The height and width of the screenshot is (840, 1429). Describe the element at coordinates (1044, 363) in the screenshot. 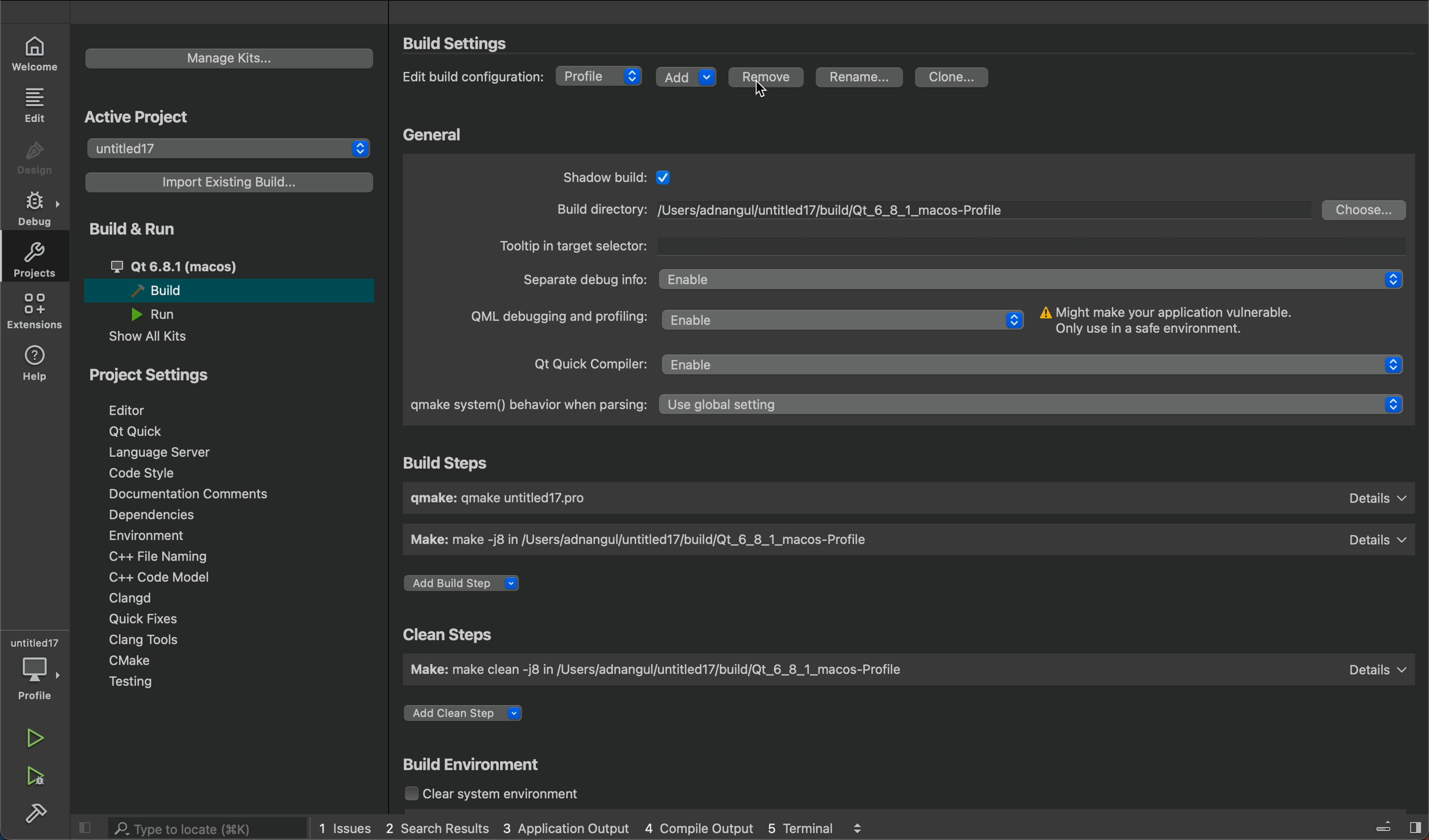

I see `enable` at that location.